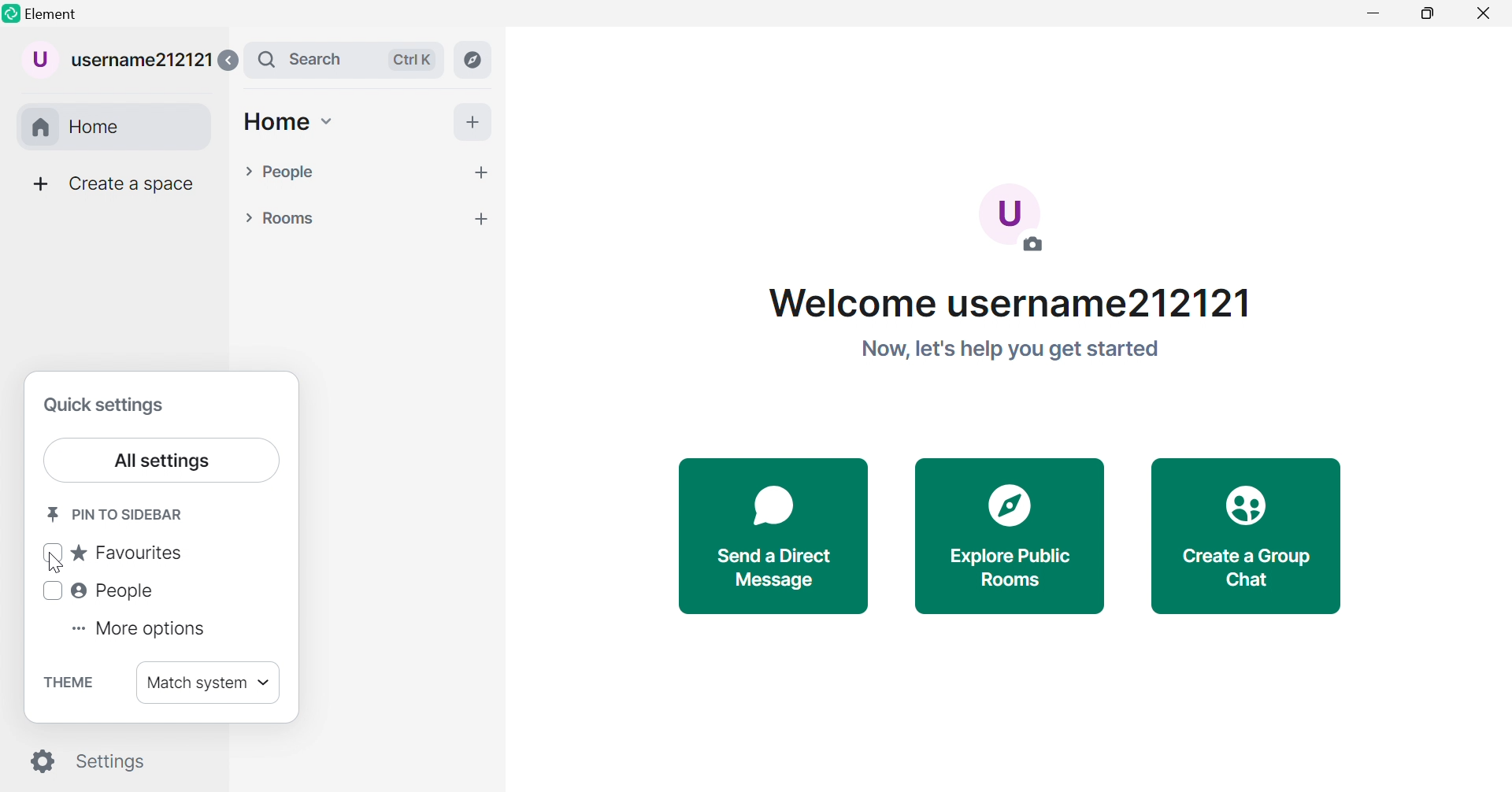 This screenshot has height=792, width=1512. Describe the element at coordinates (1251, 569) in the screenshot. I see `Create a Group Chat` at that location.